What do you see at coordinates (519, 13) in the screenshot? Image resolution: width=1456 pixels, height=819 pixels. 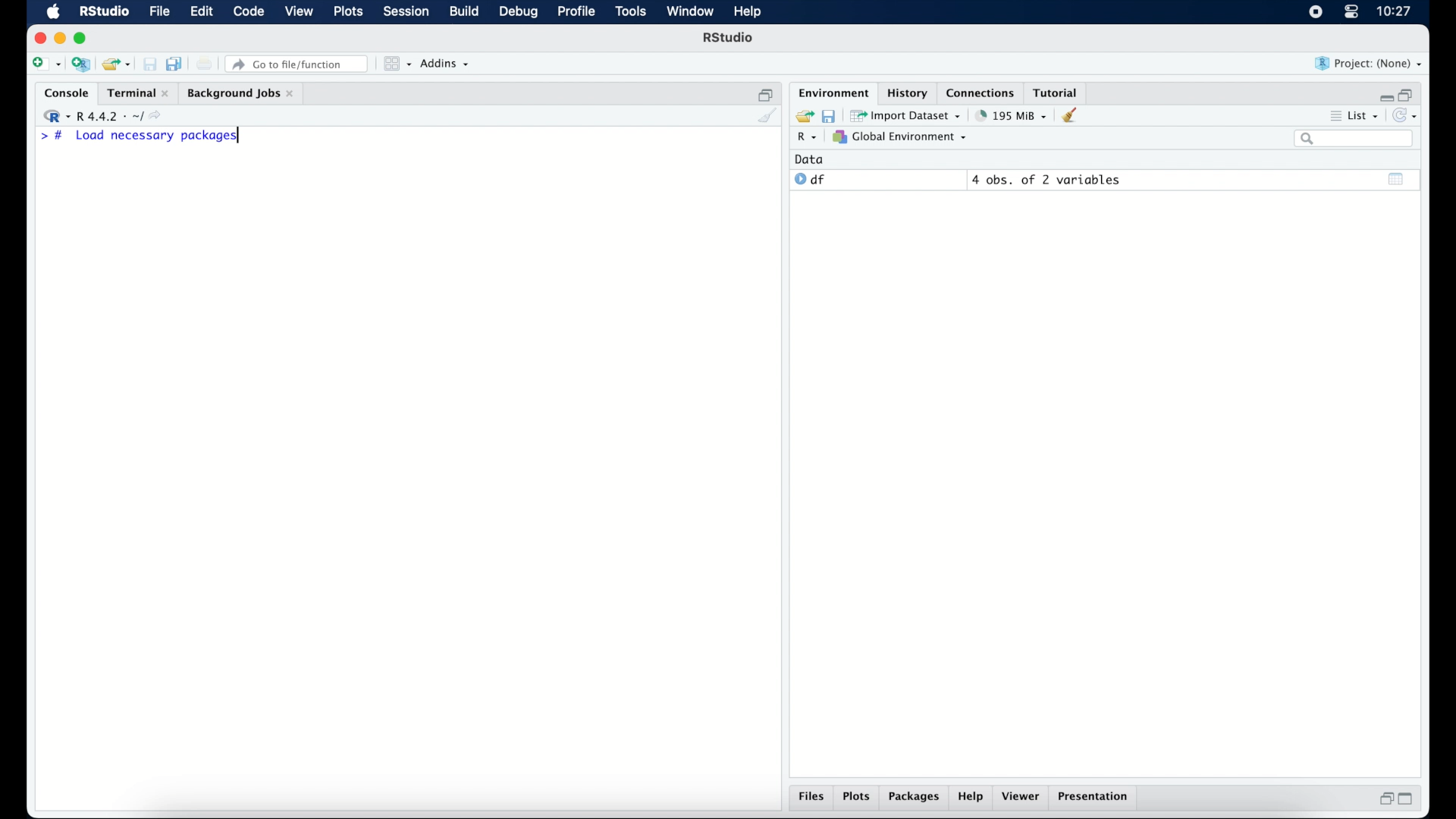 I see `debug` at bounding box center [519, 13].